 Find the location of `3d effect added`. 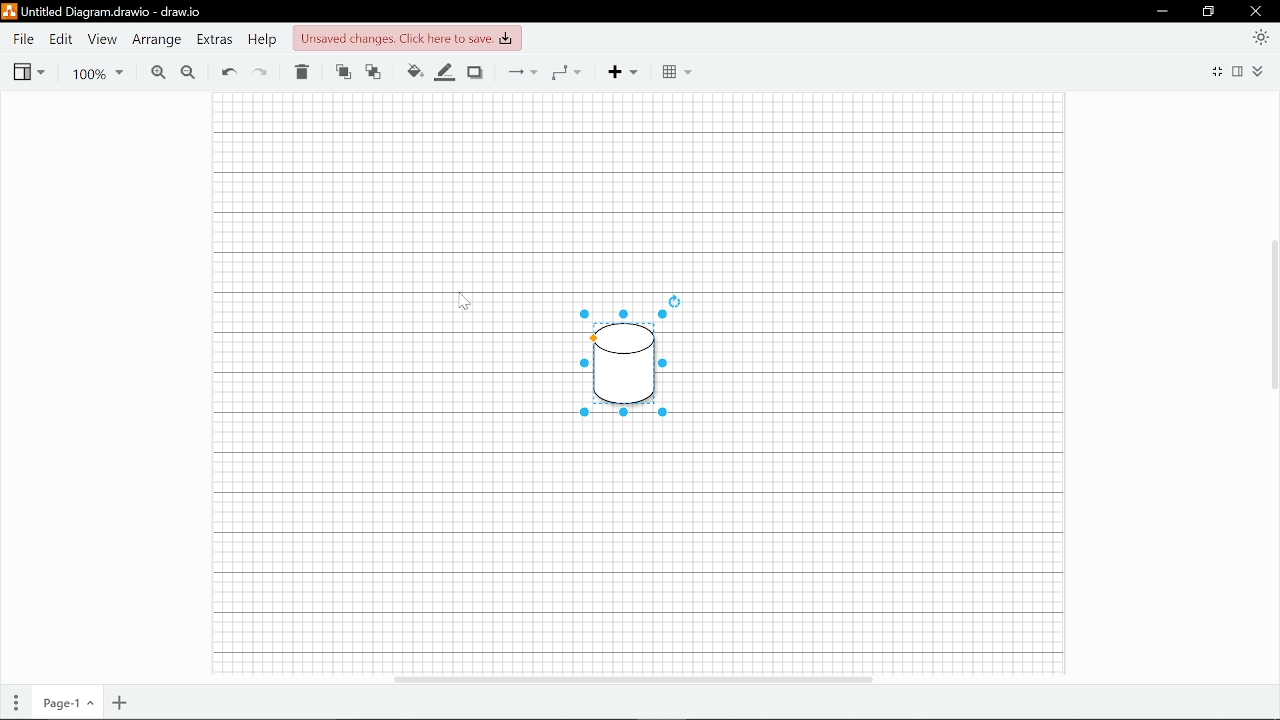

3d effect added is located at coordinates (623, 356).